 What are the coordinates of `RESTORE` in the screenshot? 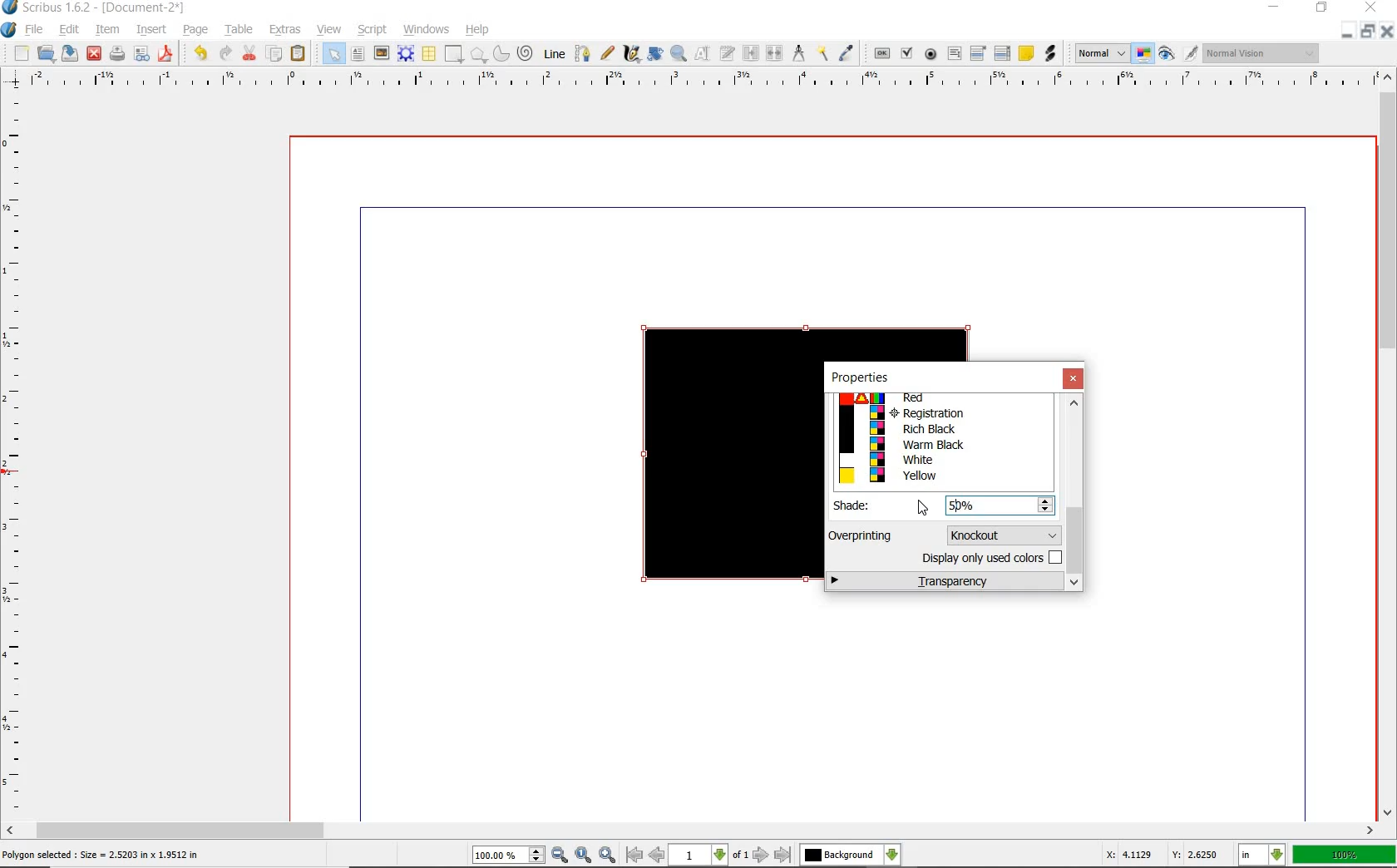 It's located at (1364, 34).